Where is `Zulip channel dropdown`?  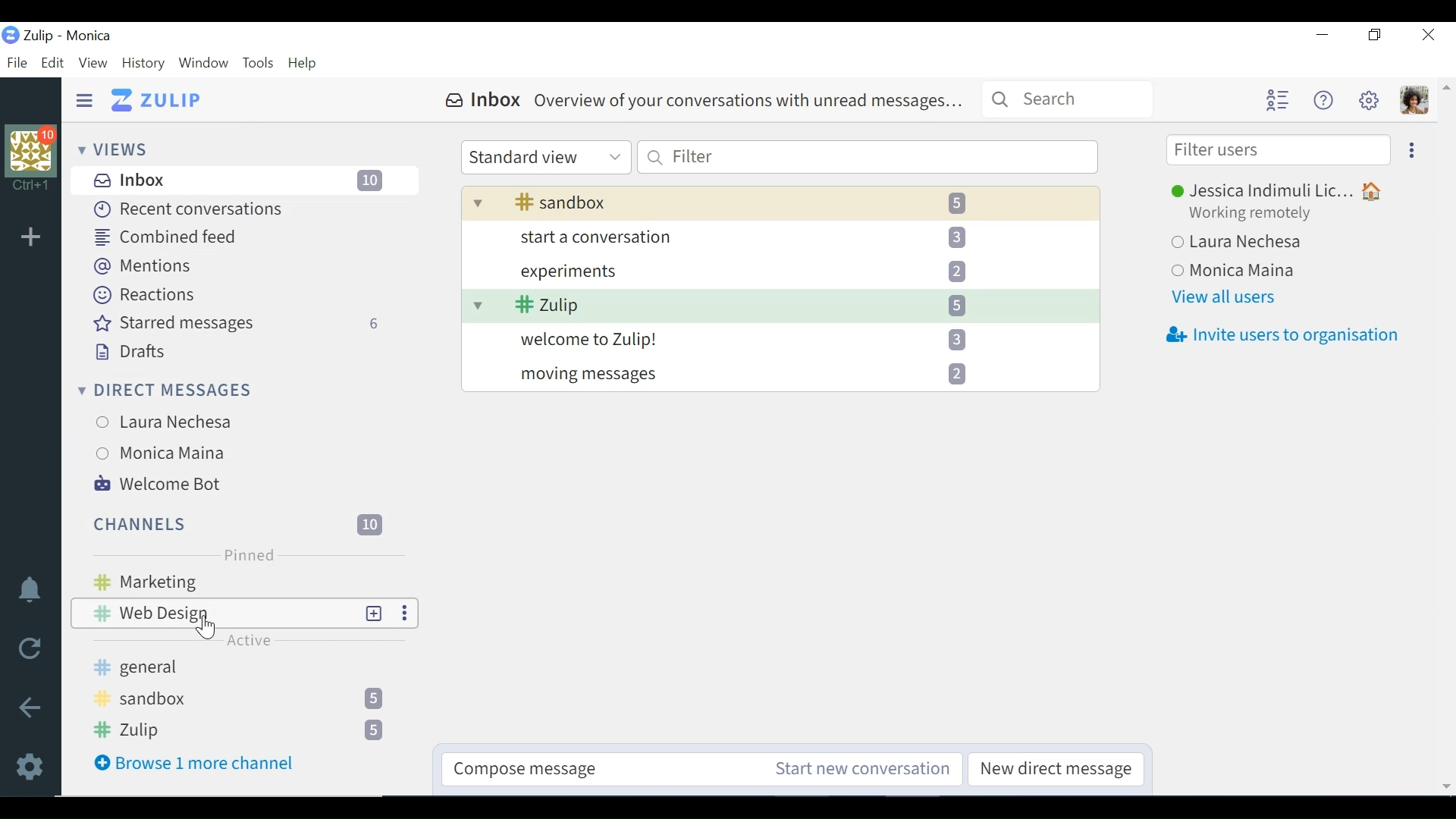
Zulip channel dropdown is located at coordinates (775, 303).